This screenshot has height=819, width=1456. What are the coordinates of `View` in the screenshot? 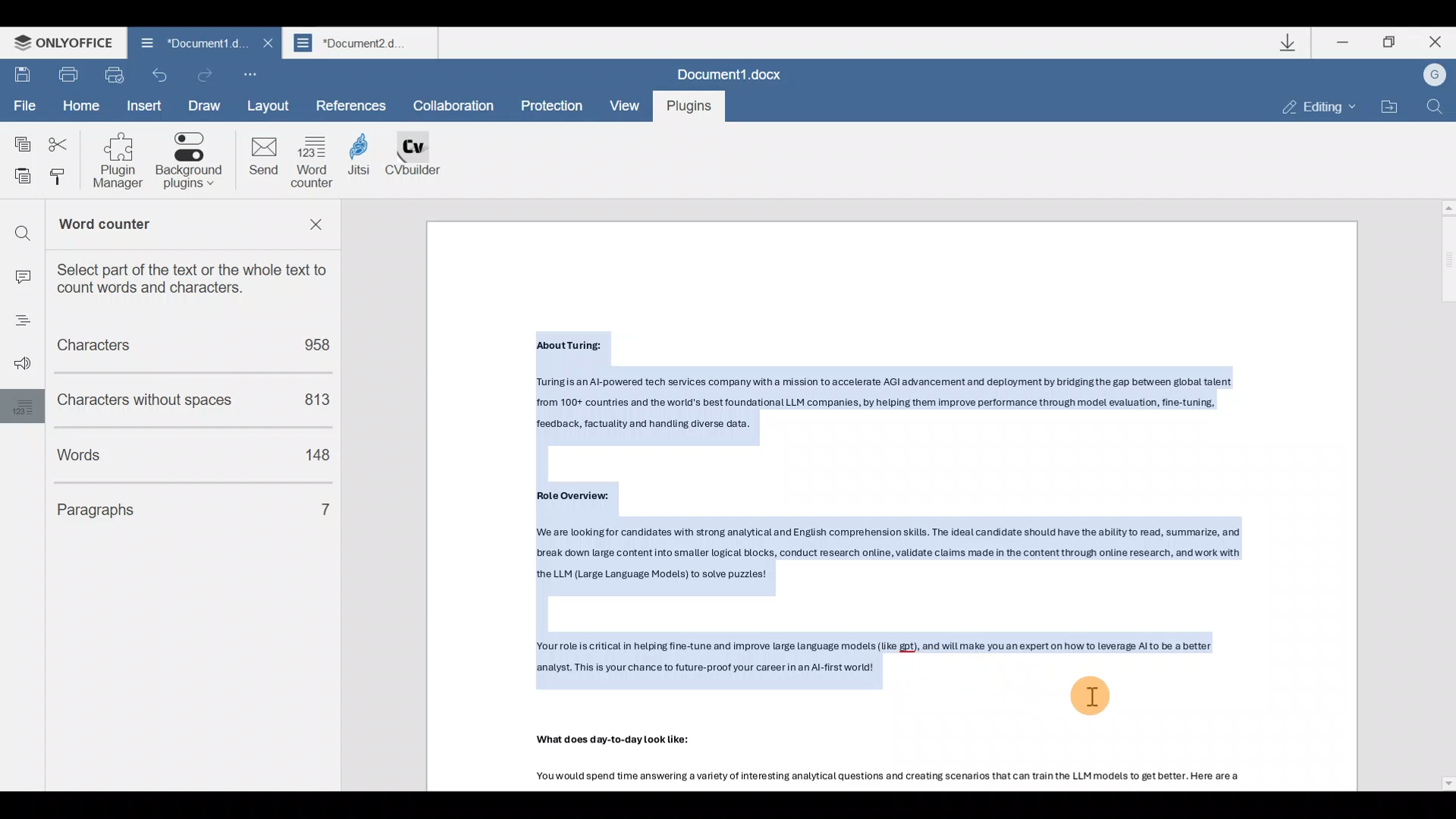 It's located at (623, 106).